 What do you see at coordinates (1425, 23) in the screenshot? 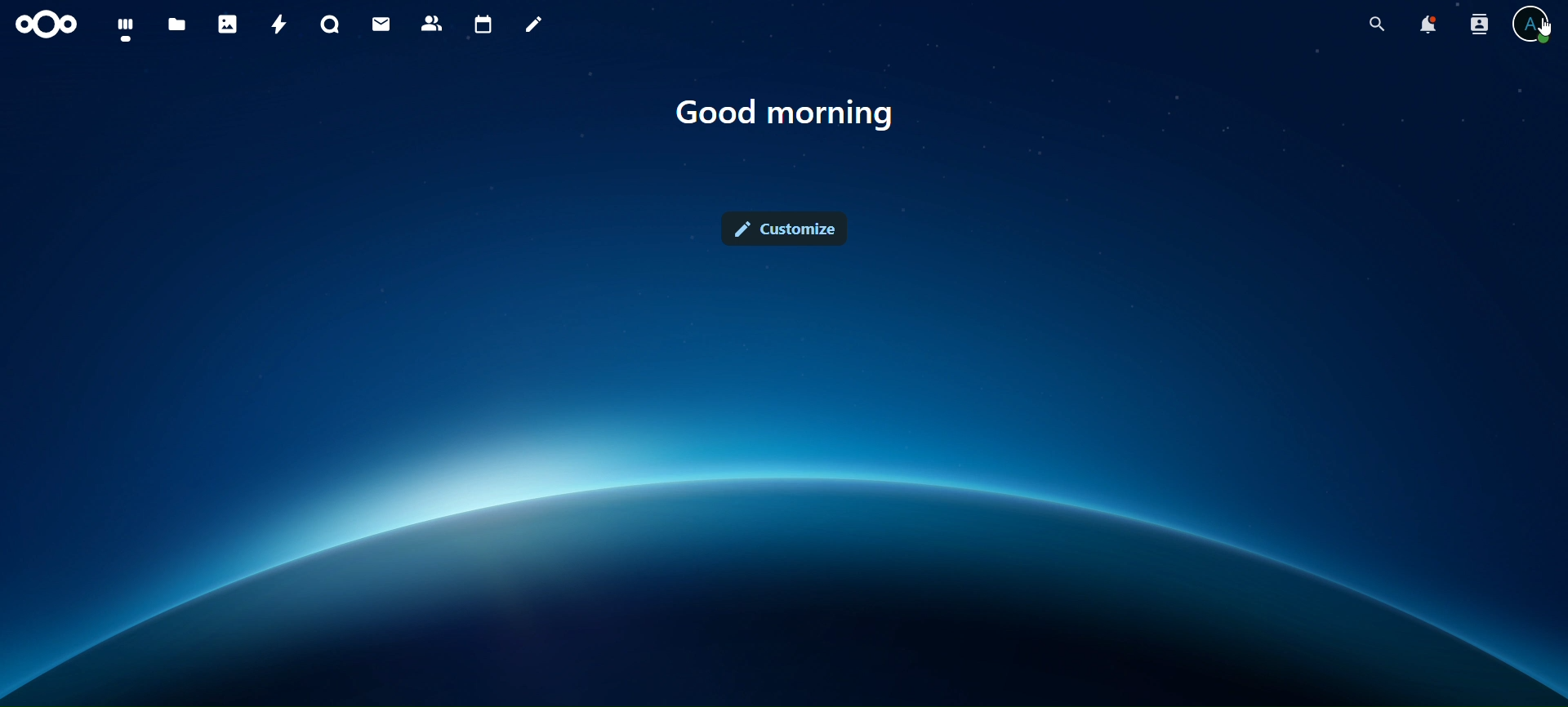
I see `notifications` at bounding box center [1425, 23].